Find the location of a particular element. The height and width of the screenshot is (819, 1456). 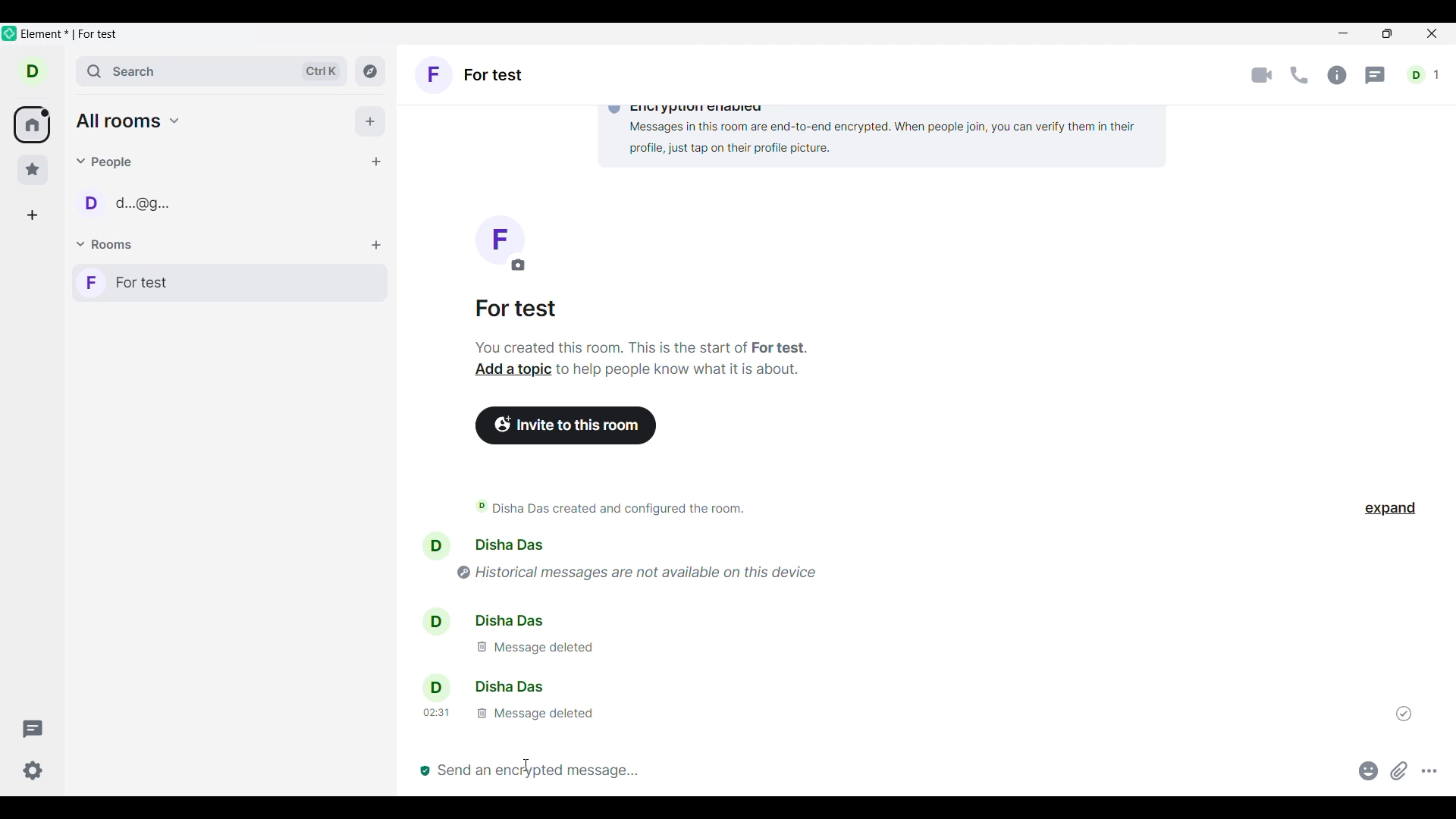

Search room is located at coordinates (213, 71).